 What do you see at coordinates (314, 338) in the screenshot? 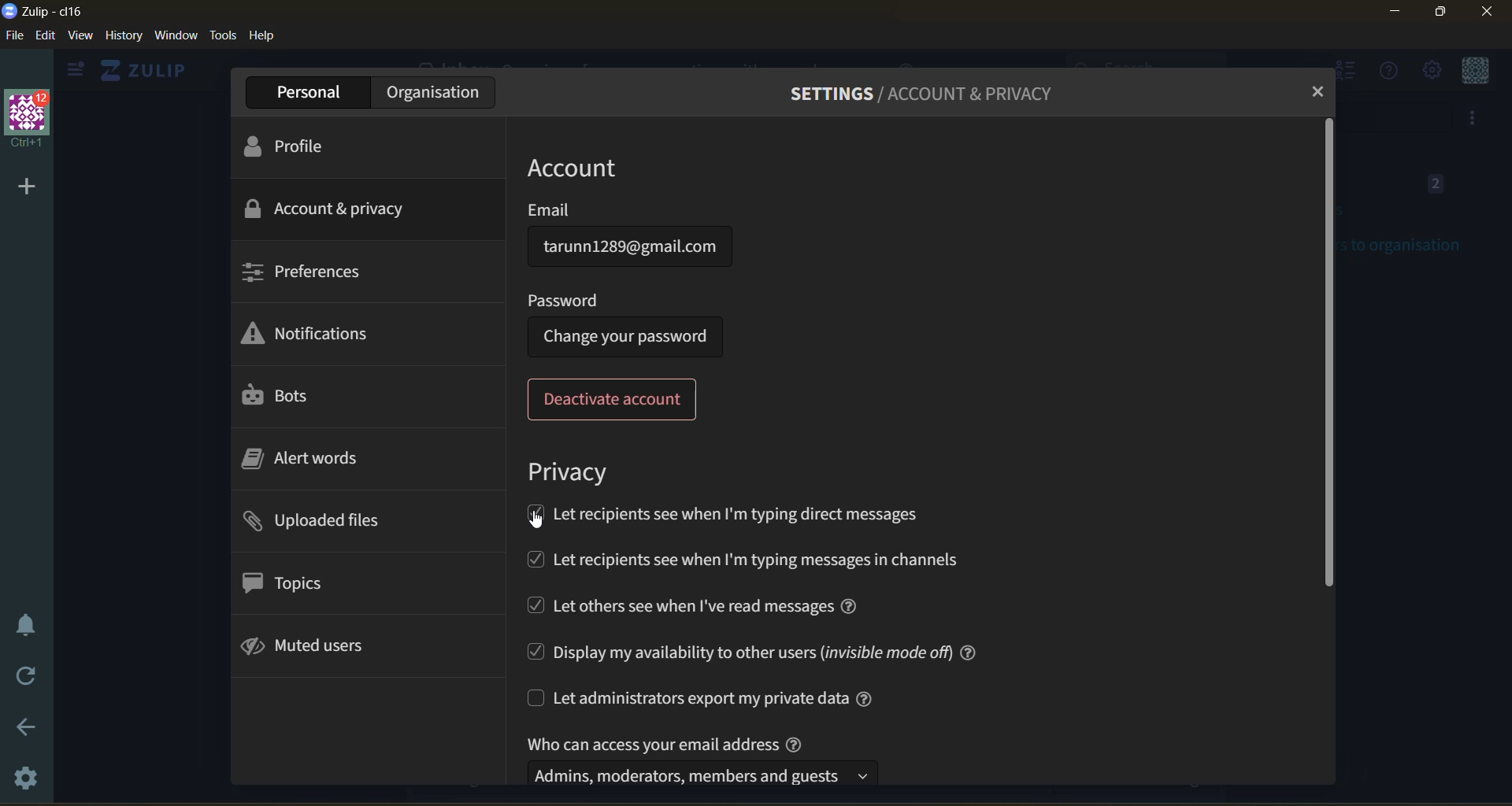
I see `notifications` at bounding box center [314, 338].